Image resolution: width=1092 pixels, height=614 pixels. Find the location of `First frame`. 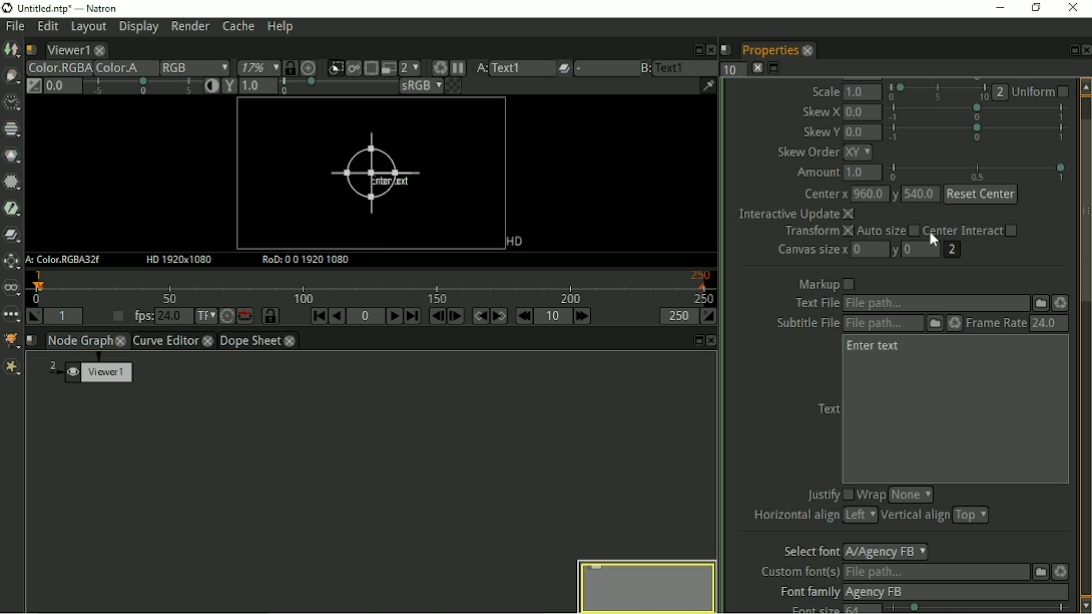

First frame is located at coordinates (319, 316).